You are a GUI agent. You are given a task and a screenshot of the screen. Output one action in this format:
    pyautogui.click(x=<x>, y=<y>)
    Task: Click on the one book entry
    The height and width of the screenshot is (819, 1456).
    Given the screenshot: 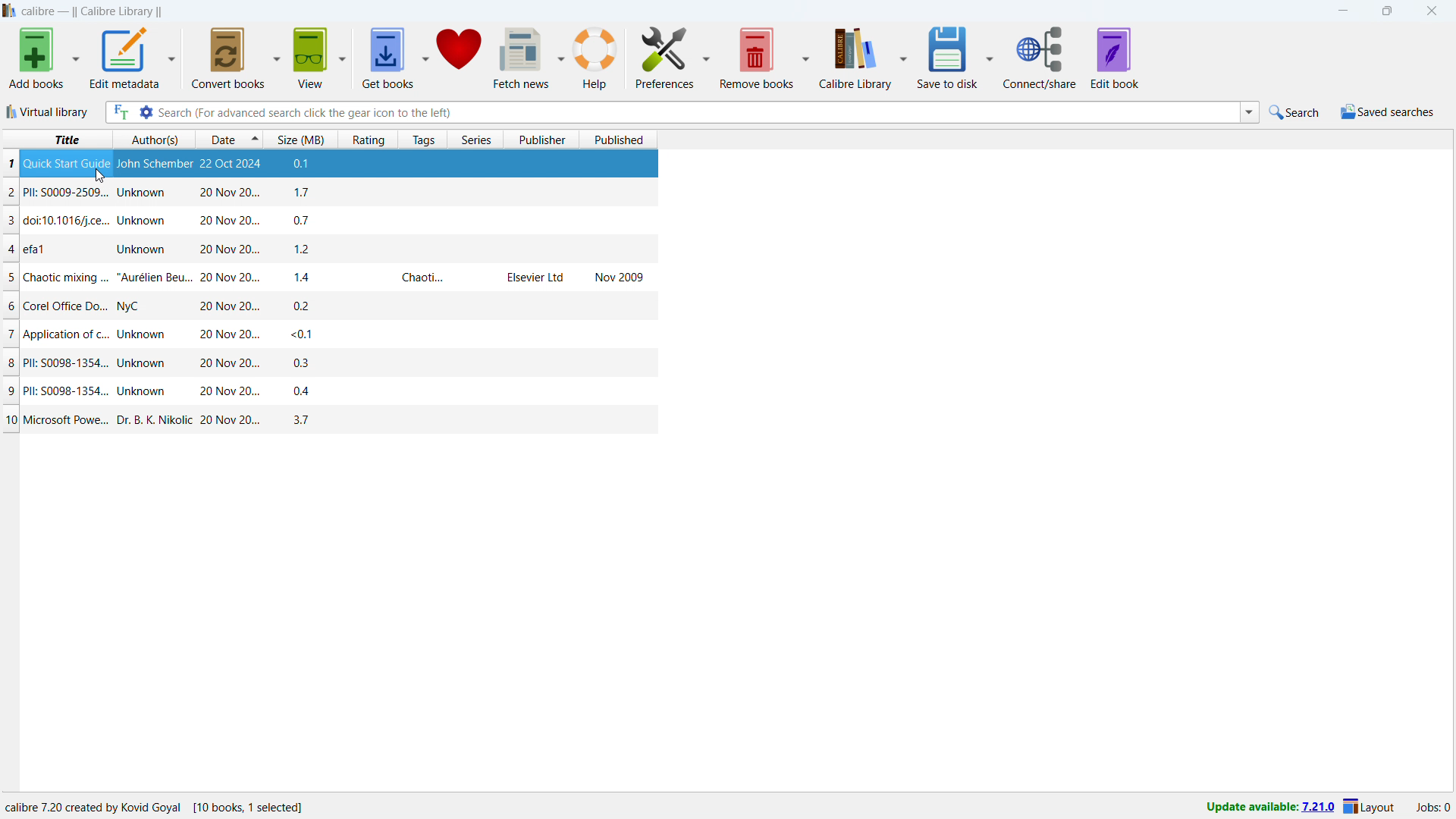 What is the action you would take?
    pyautogui.click(x=330, y=334)
    